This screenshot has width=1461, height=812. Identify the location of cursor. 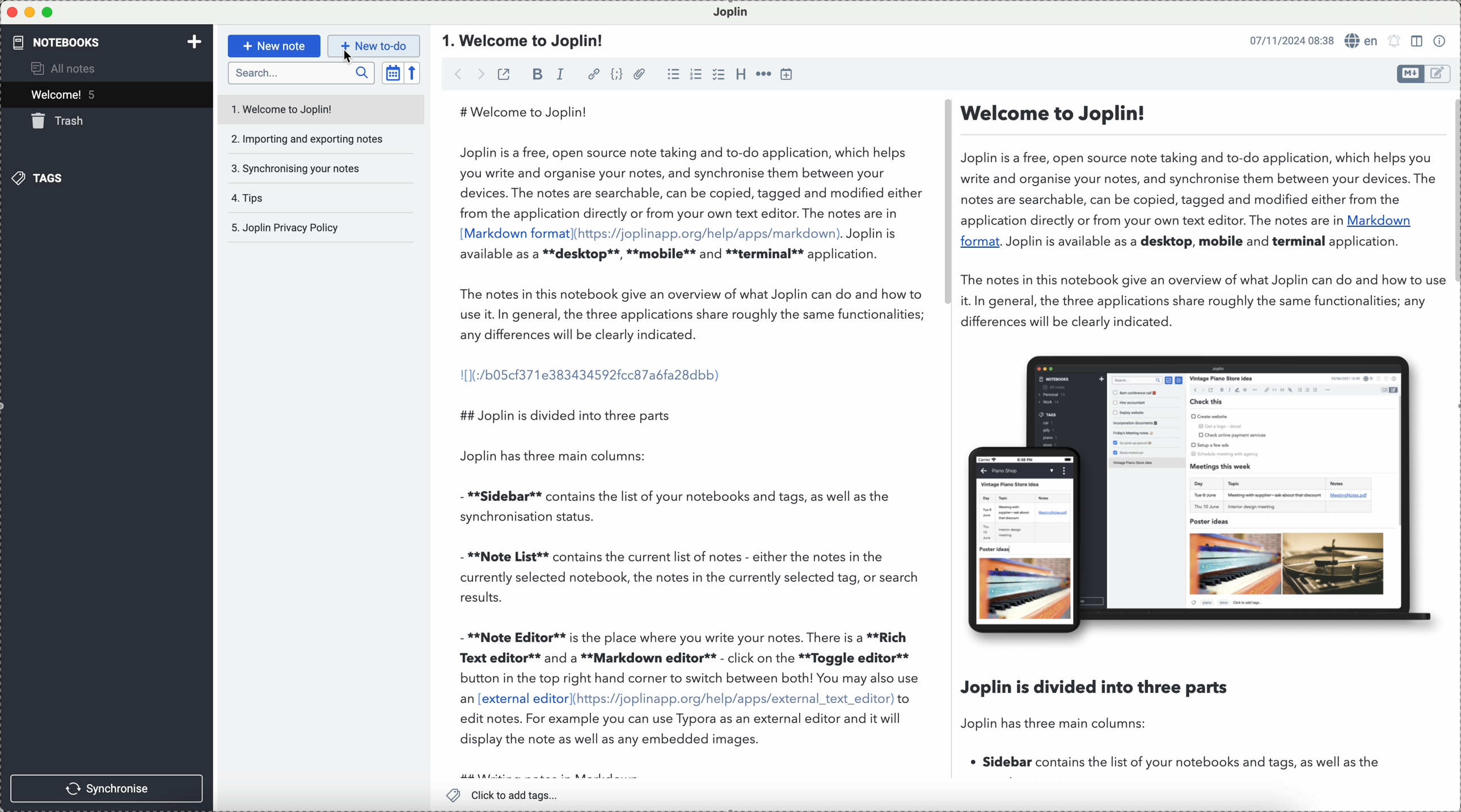
(347, 56).